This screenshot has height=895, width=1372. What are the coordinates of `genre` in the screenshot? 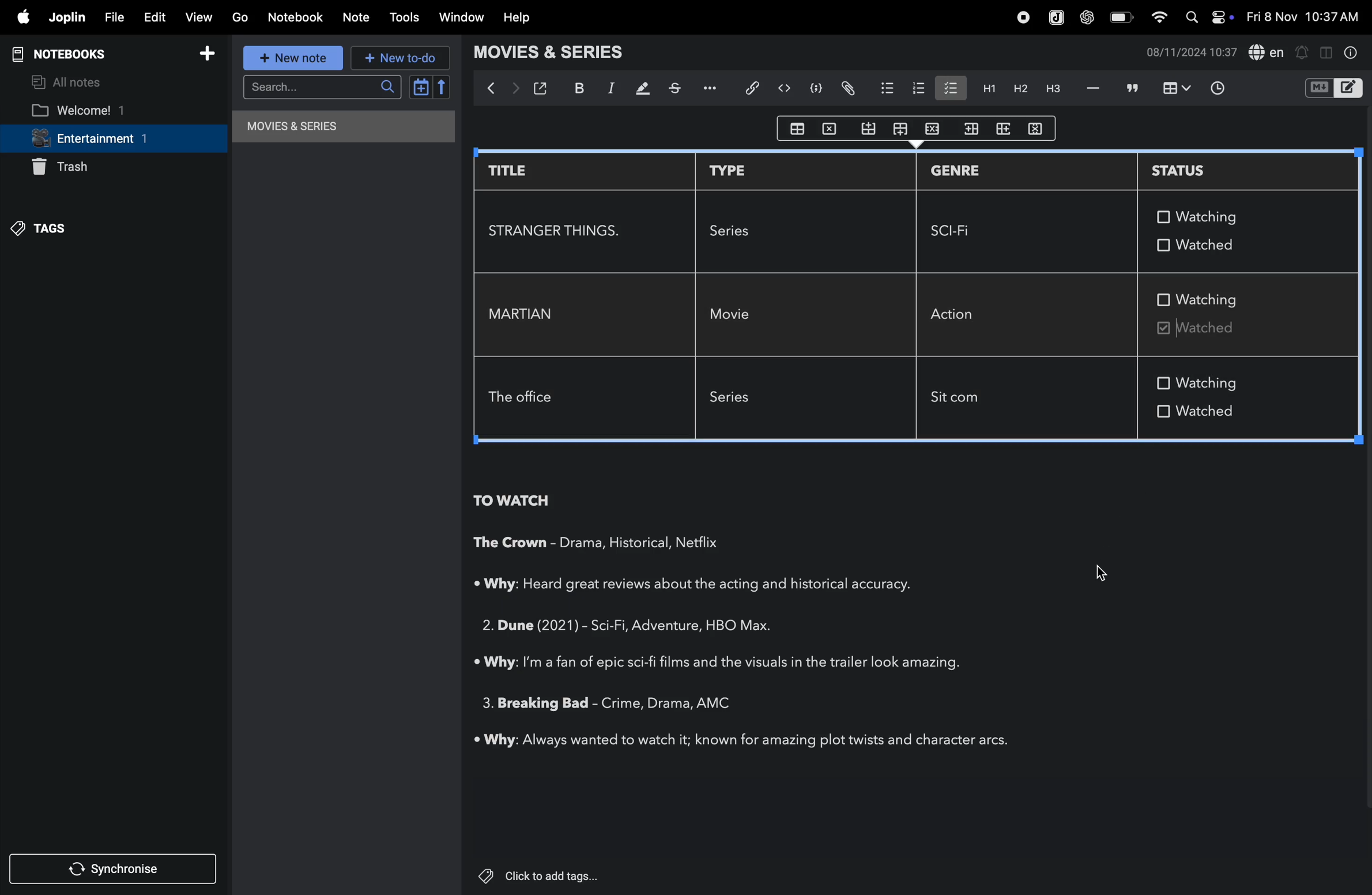 It's located at (956, 172).